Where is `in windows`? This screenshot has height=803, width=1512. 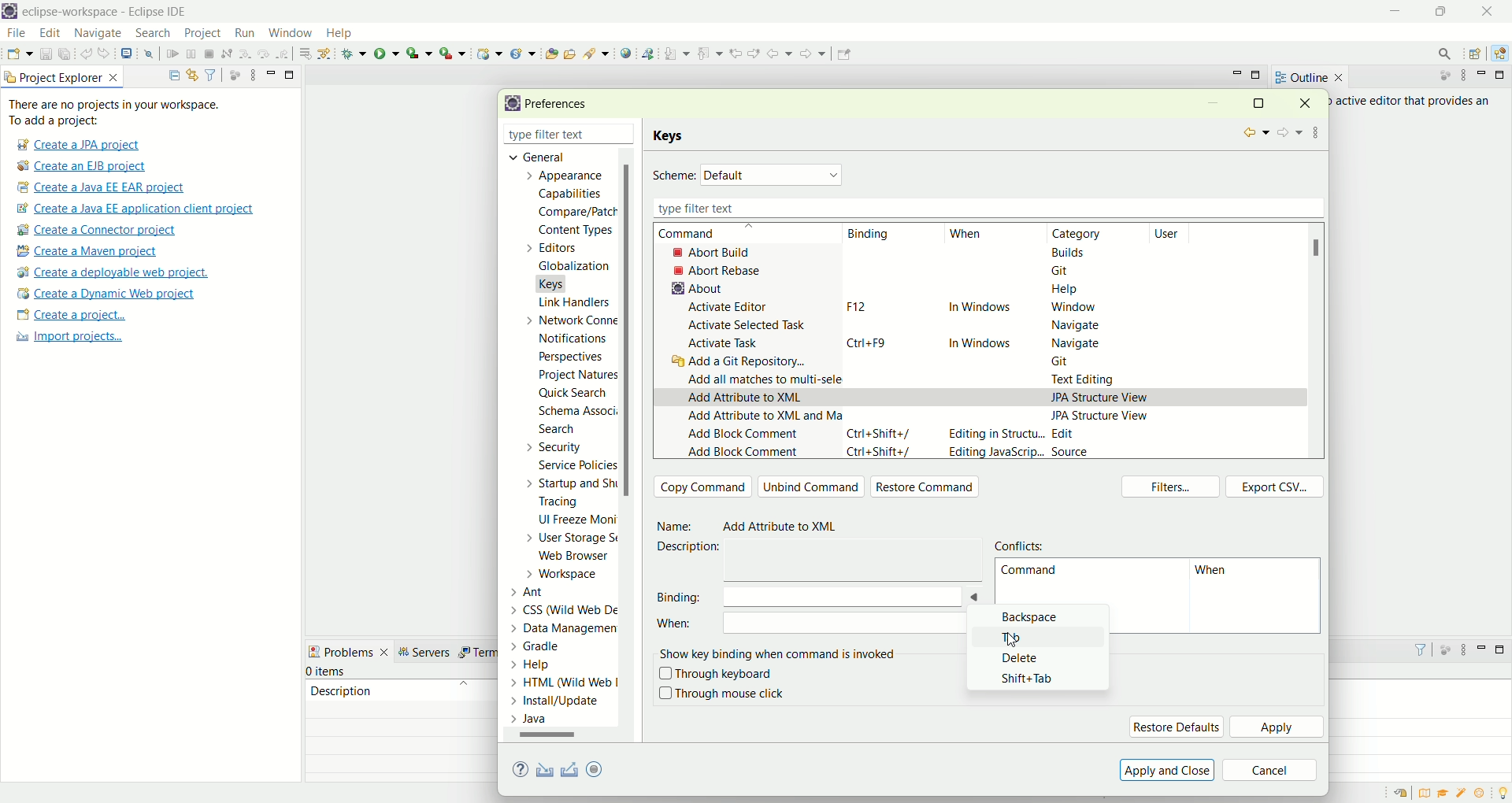 in windows is located at coordinates (980, 309).